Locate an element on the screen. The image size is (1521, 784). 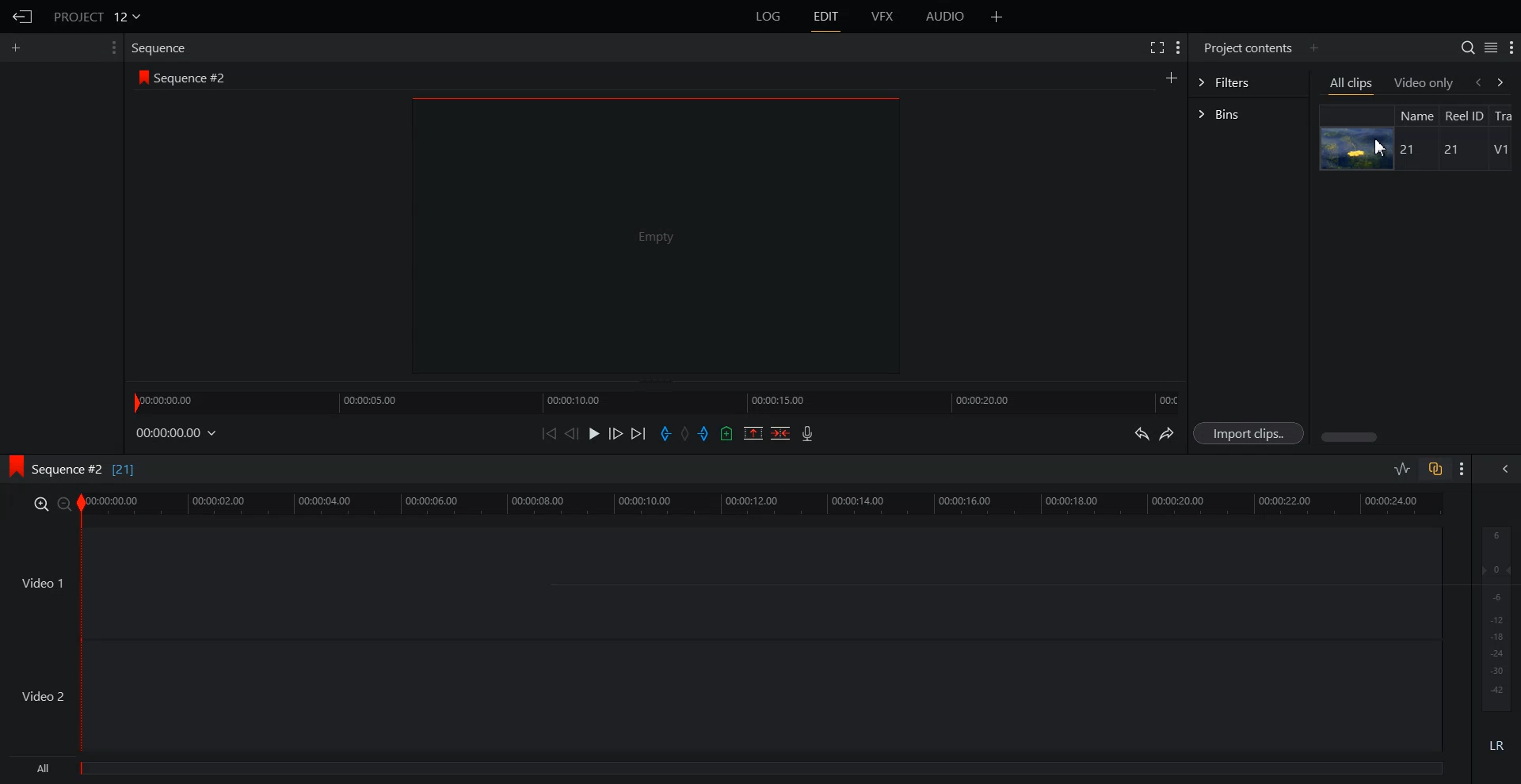
Timeline is located at coordinates (764, 504).